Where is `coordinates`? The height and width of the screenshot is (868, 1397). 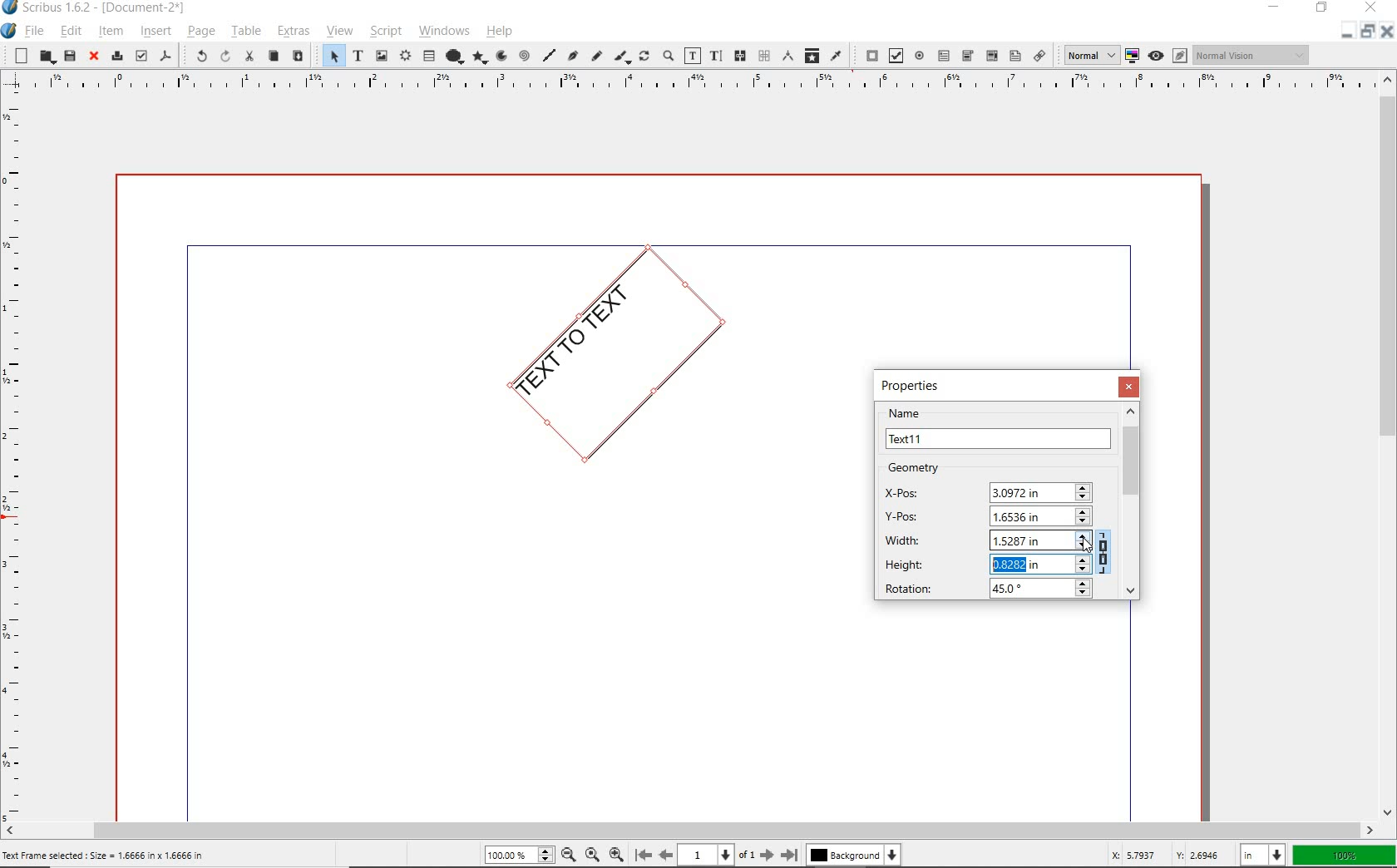 coordinates is located at coordinates (1166, 855).